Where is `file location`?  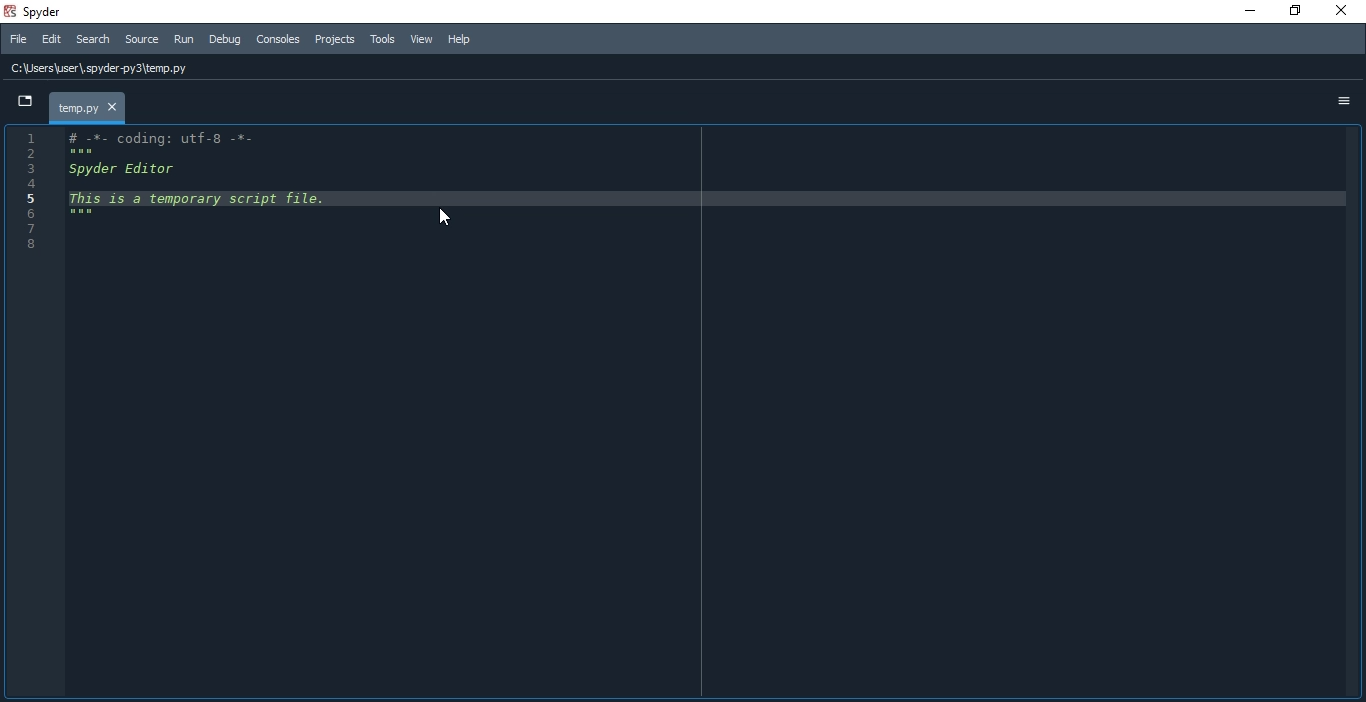 file location is located at coordinates (110, 67).